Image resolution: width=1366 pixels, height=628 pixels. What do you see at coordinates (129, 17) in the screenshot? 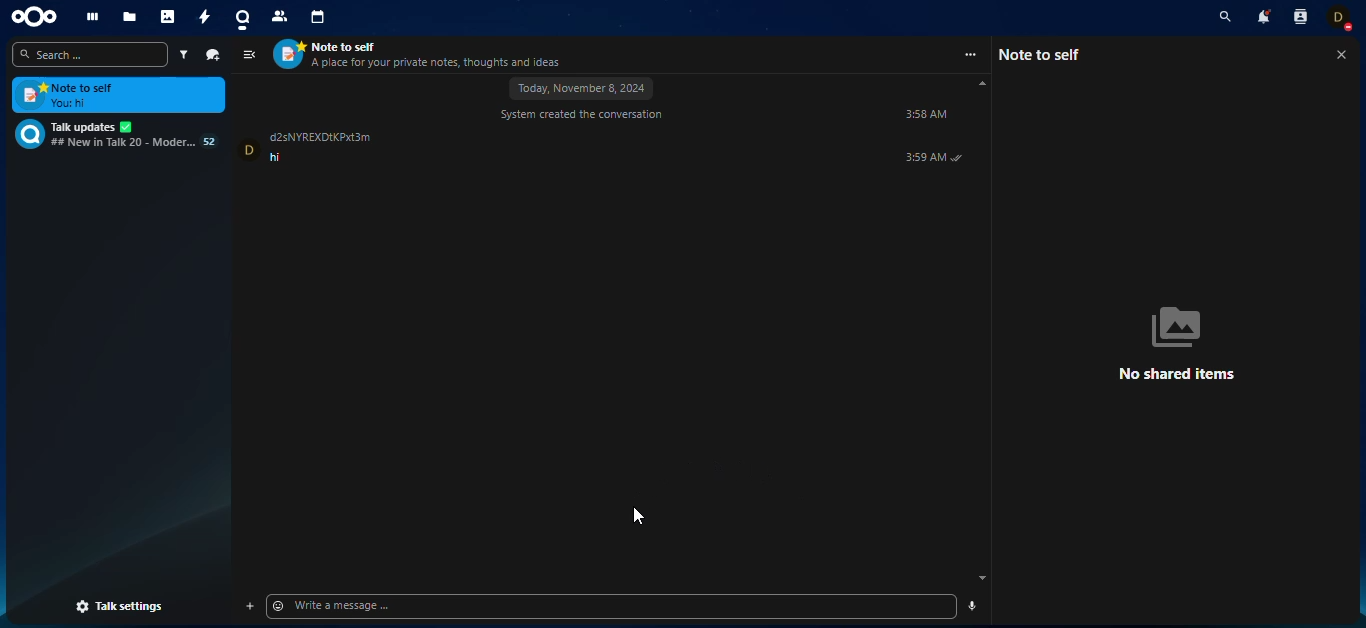
I see `files` at bounding box center [129, 17].